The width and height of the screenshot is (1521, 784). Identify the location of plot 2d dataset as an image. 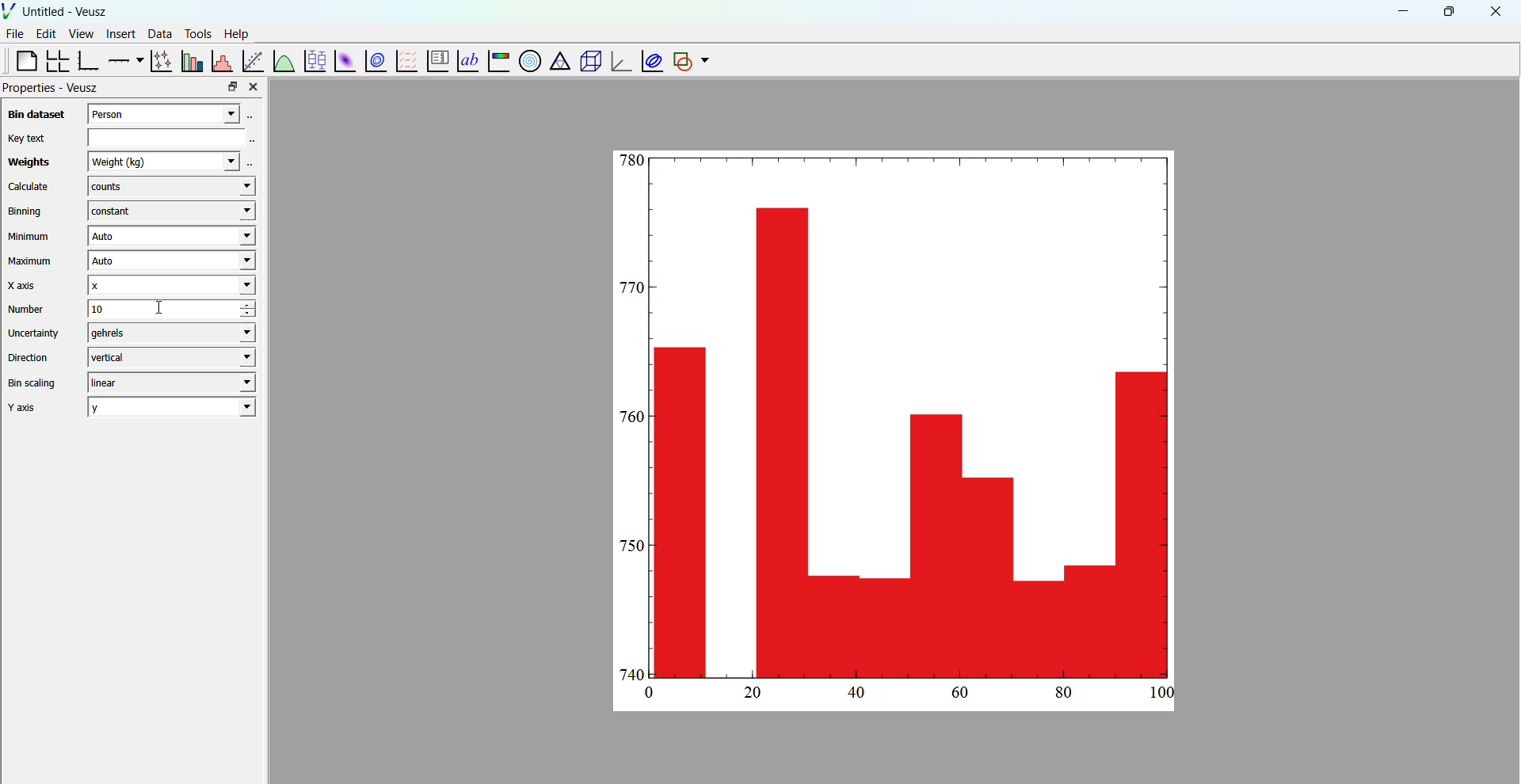
(342, 61).